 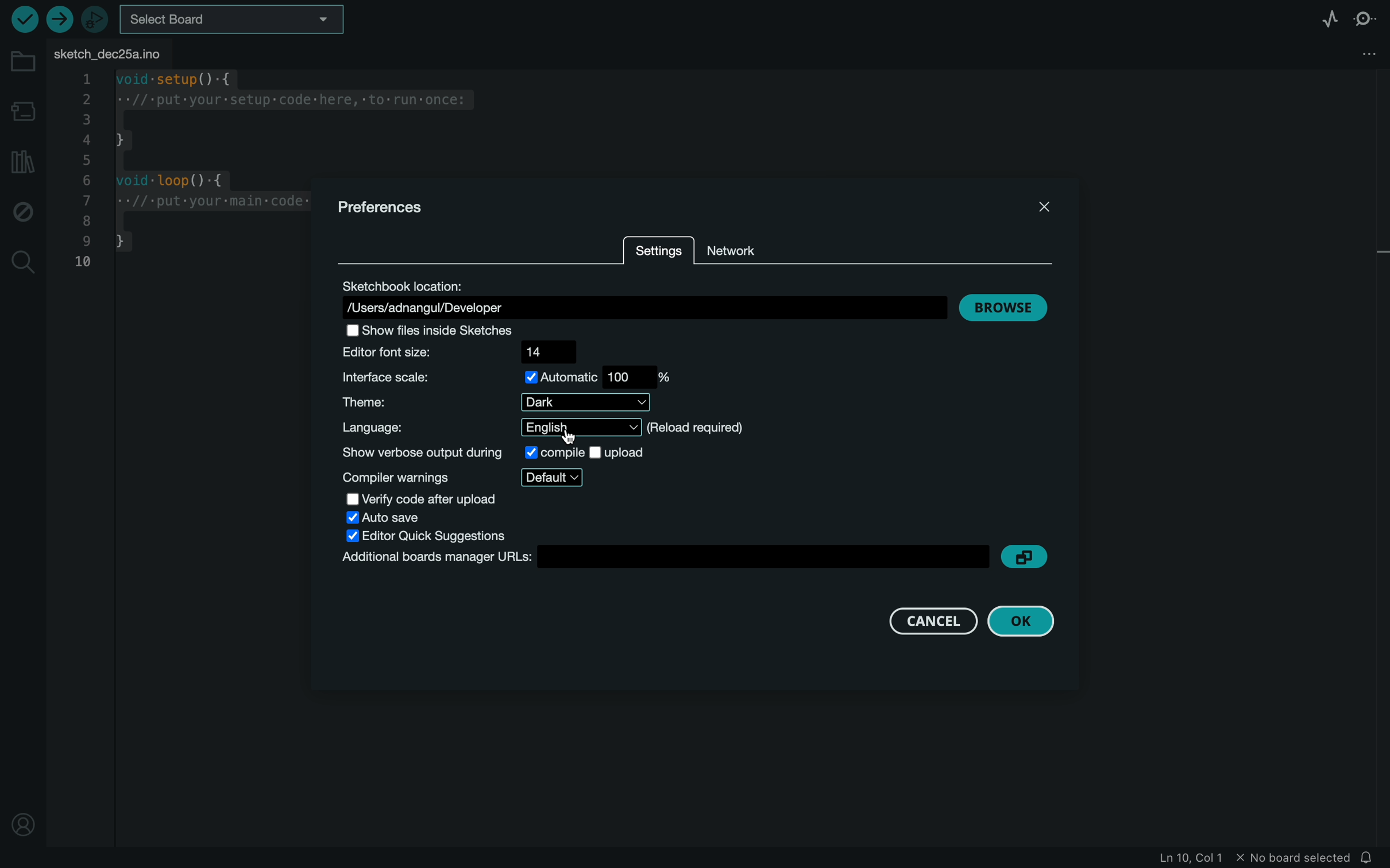 I want to click on file  infomation, so click(x=1237, y=859).